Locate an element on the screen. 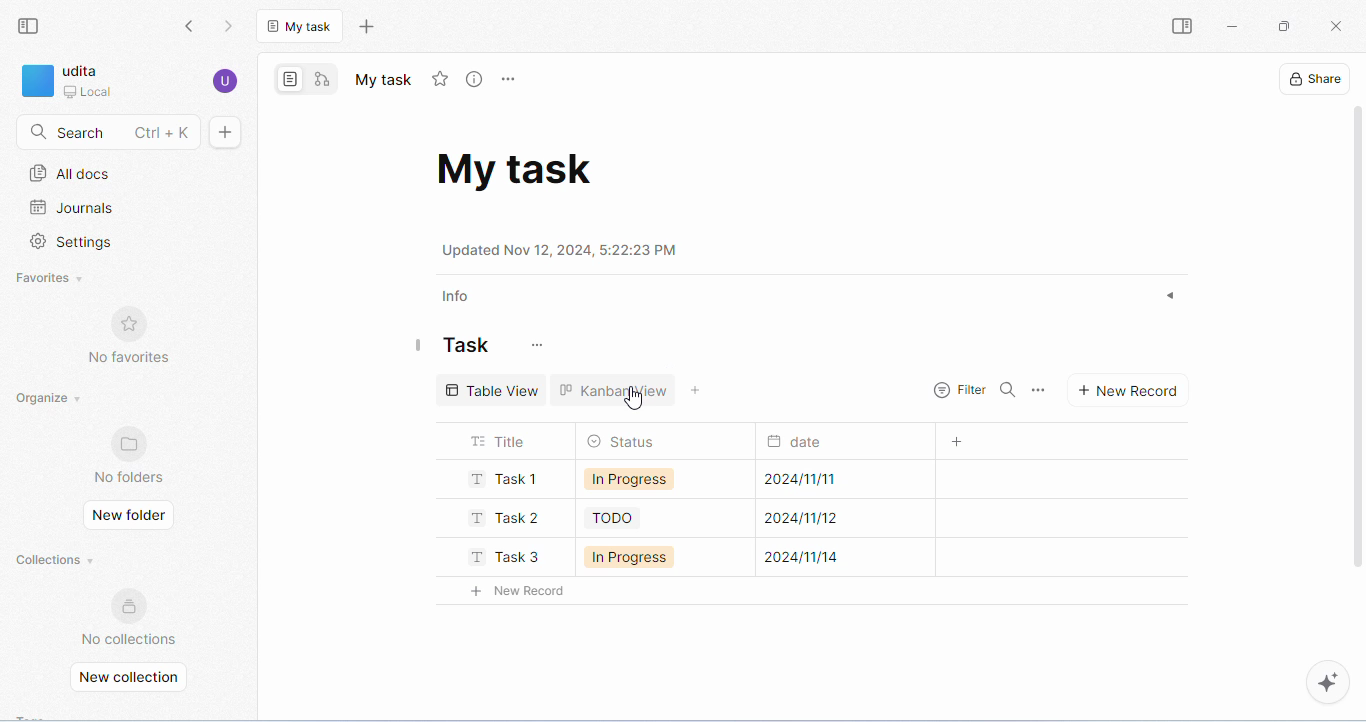 The width and height of the screenshot is (1366, 722). no folders is located at coordinates (131, 455).